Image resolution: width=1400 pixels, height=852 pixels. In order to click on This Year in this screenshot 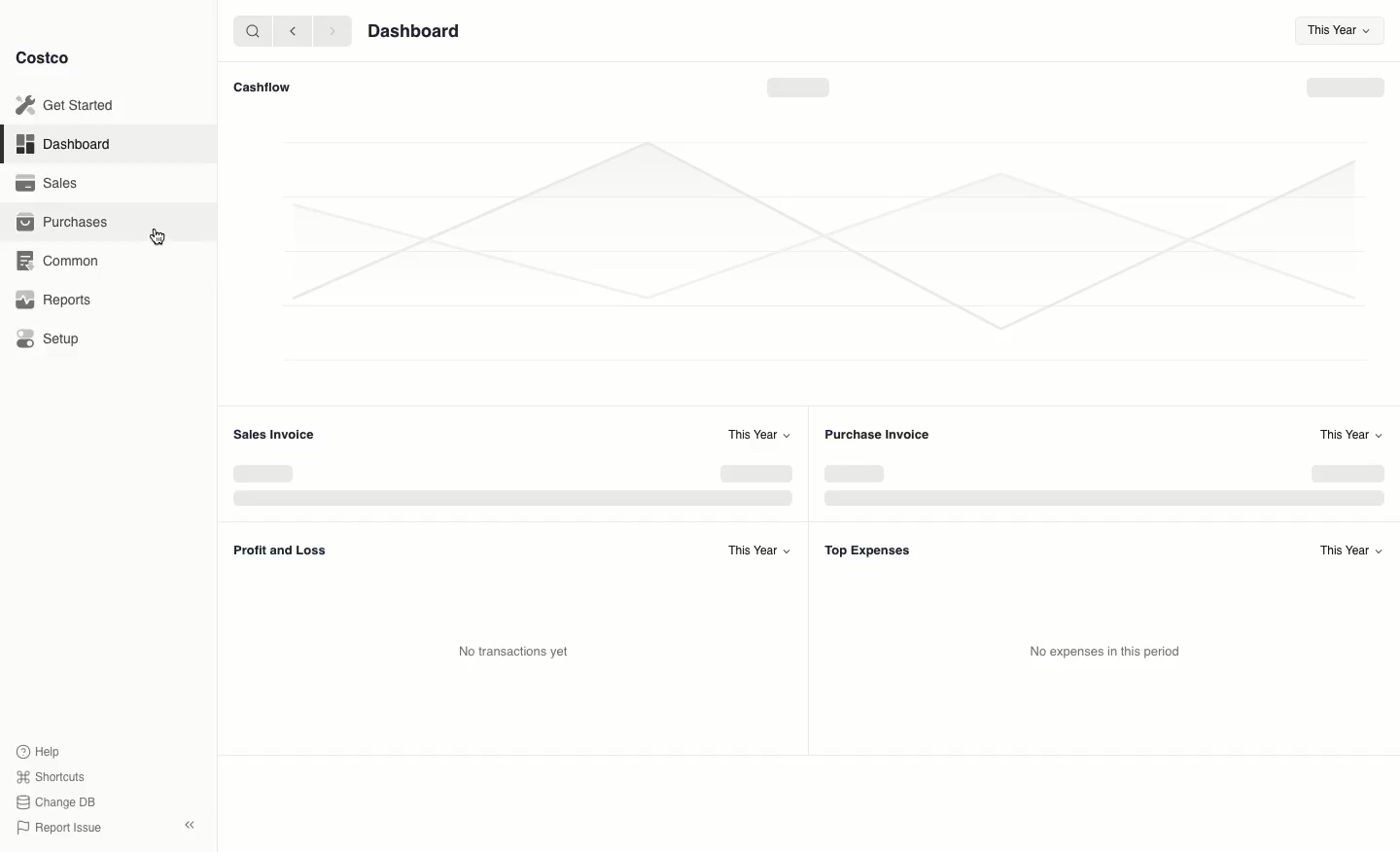, I will do `click(1348, 433)`.